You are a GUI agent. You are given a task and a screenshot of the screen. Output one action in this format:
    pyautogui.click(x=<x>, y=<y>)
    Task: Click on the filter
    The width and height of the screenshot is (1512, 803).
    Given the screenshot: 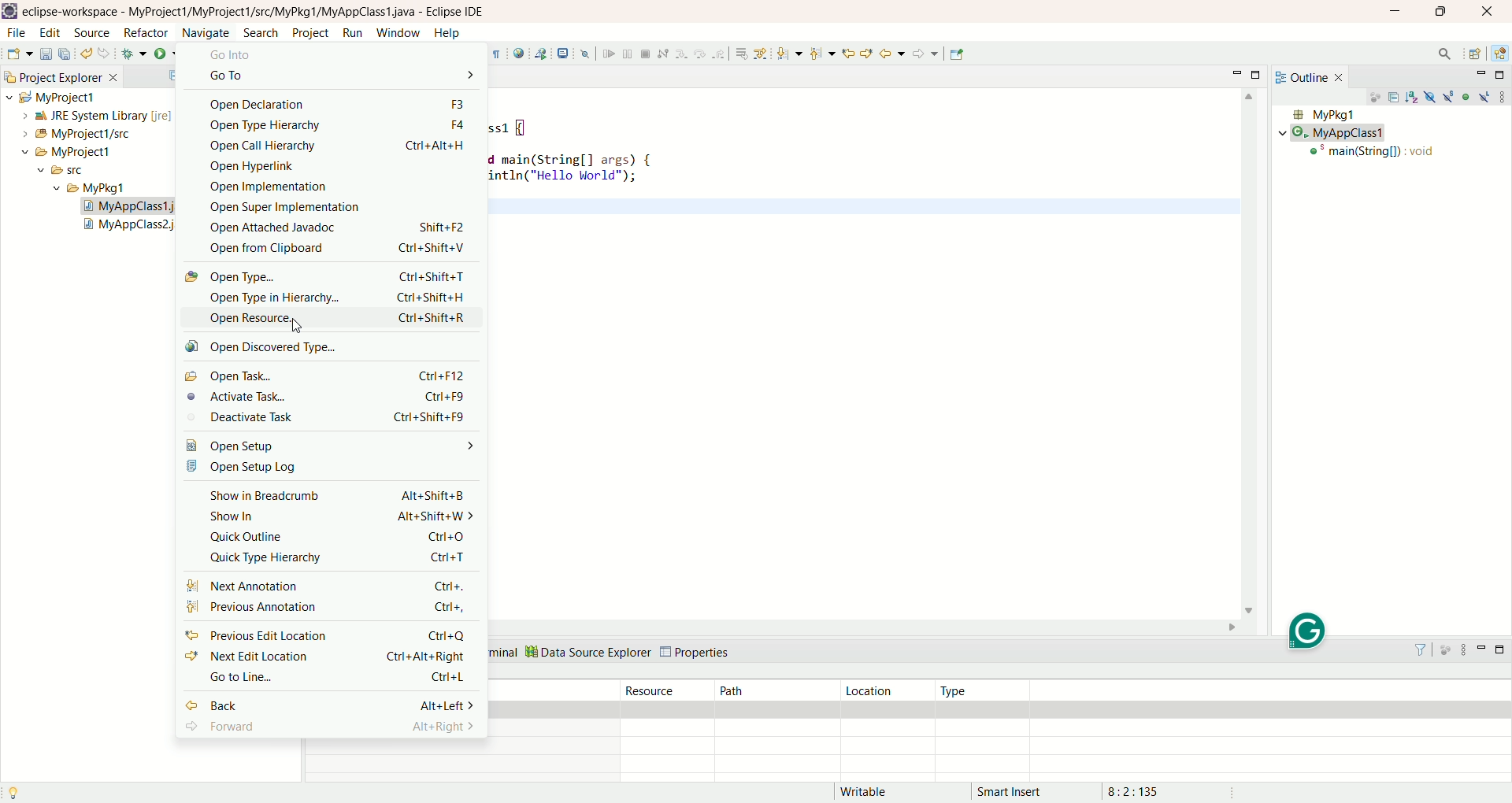 What is the action you would take?
    pyautogui.click(x=1424, y=649)
    